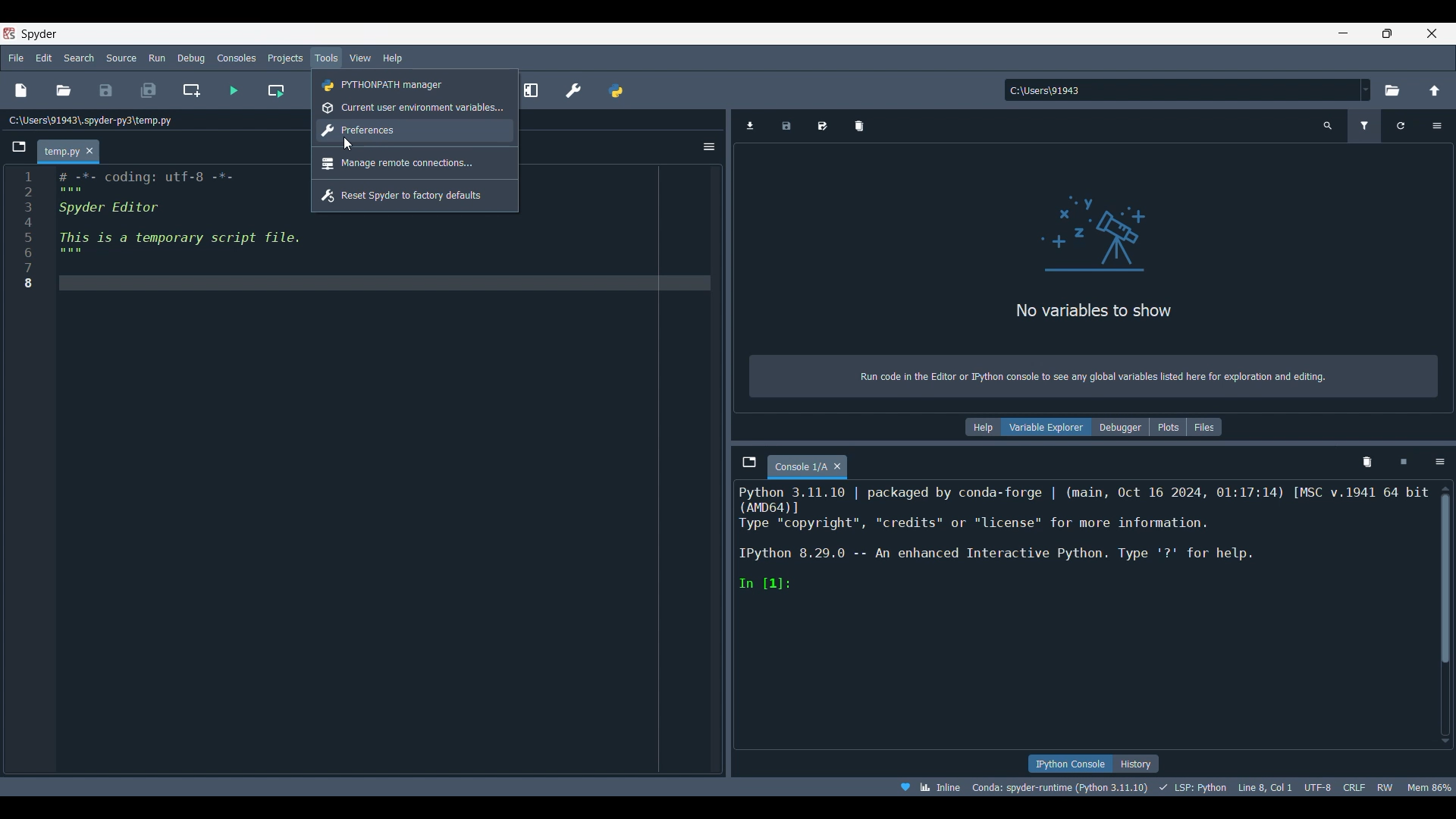 The height and width of the screenshot is (819, 1456). Describe the element at coordinates (823, 126) in the screenshot. I see `Save data as` at that location.